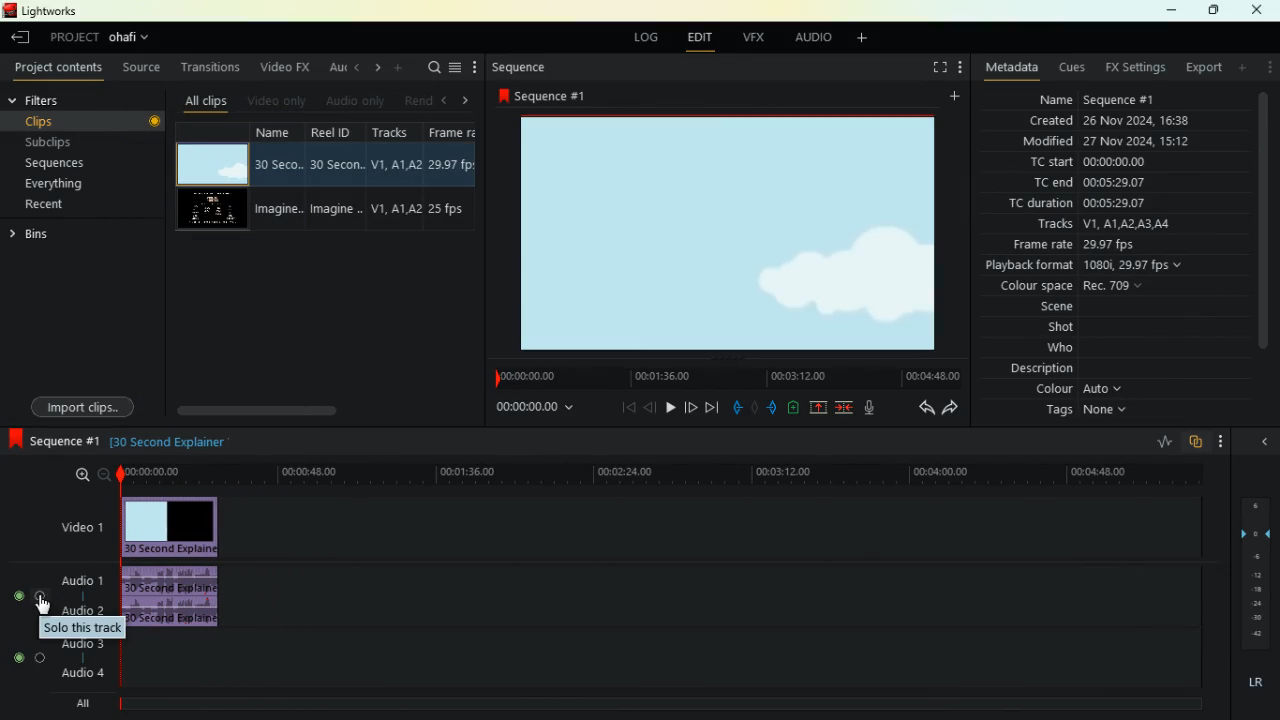 This screenshot has width=1280, height=720. I want to click on tracks, so click(395, 179).